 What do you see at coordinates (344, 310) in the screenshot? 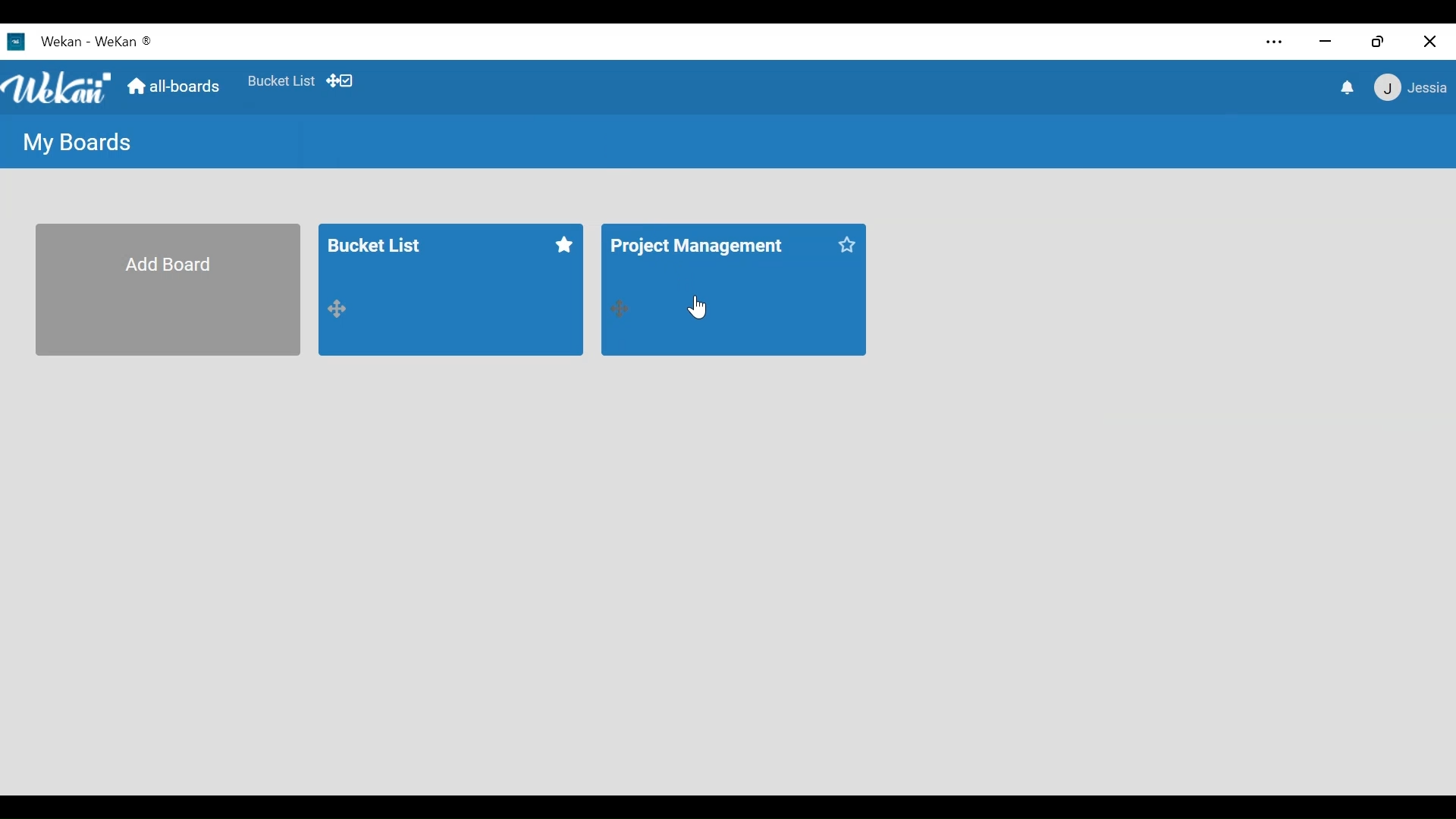
I see `drag` at bounding box center [344, 310].